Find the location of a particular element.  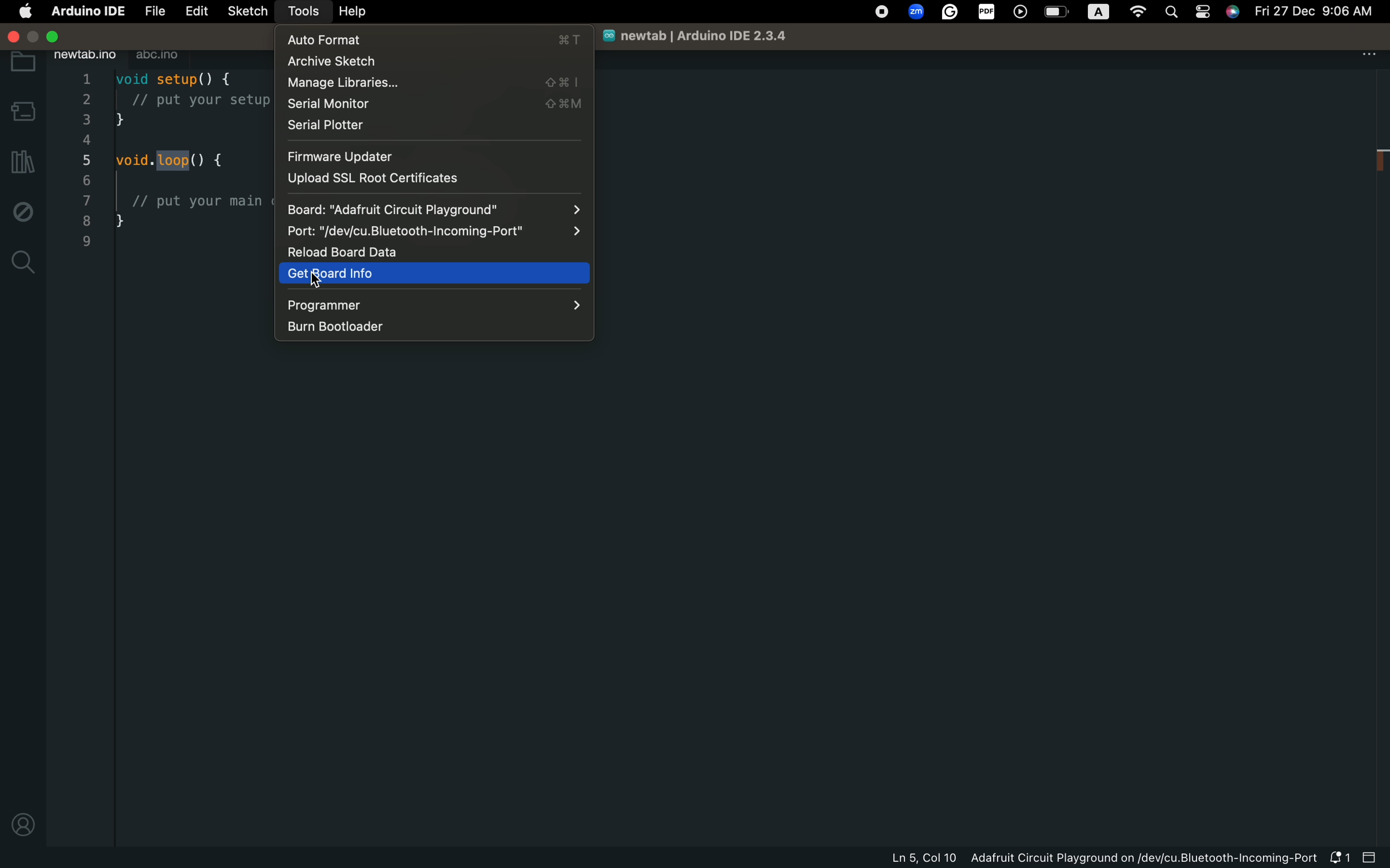

Adafruit Circuit Playground on/dev/cu.Bluetooth-Incoming-Port is located at coordinates (1146, 858).